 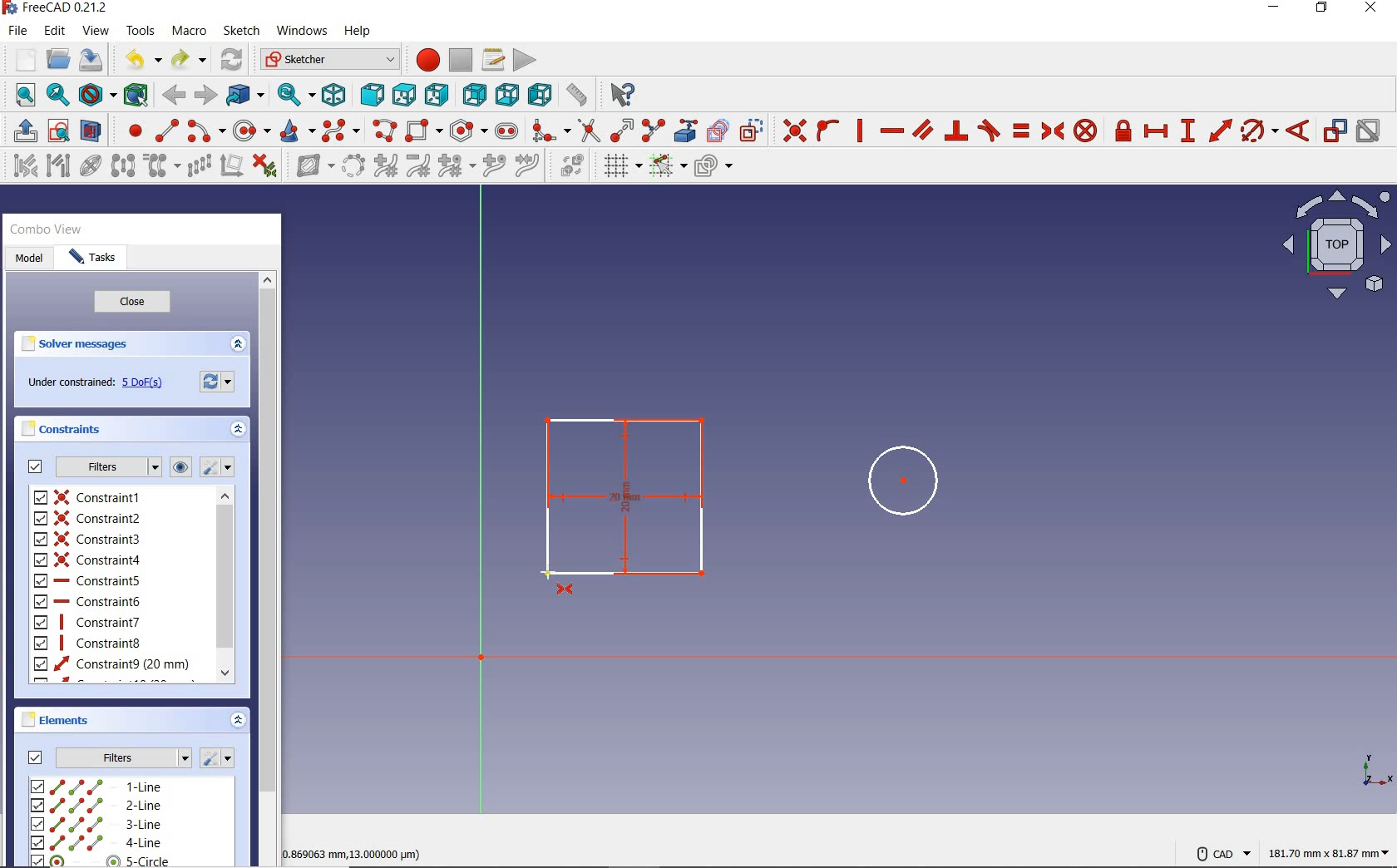 What do you see at coordinates (92, 129) in the screenshot?
I see `view section` at bounding box center [92, 129].